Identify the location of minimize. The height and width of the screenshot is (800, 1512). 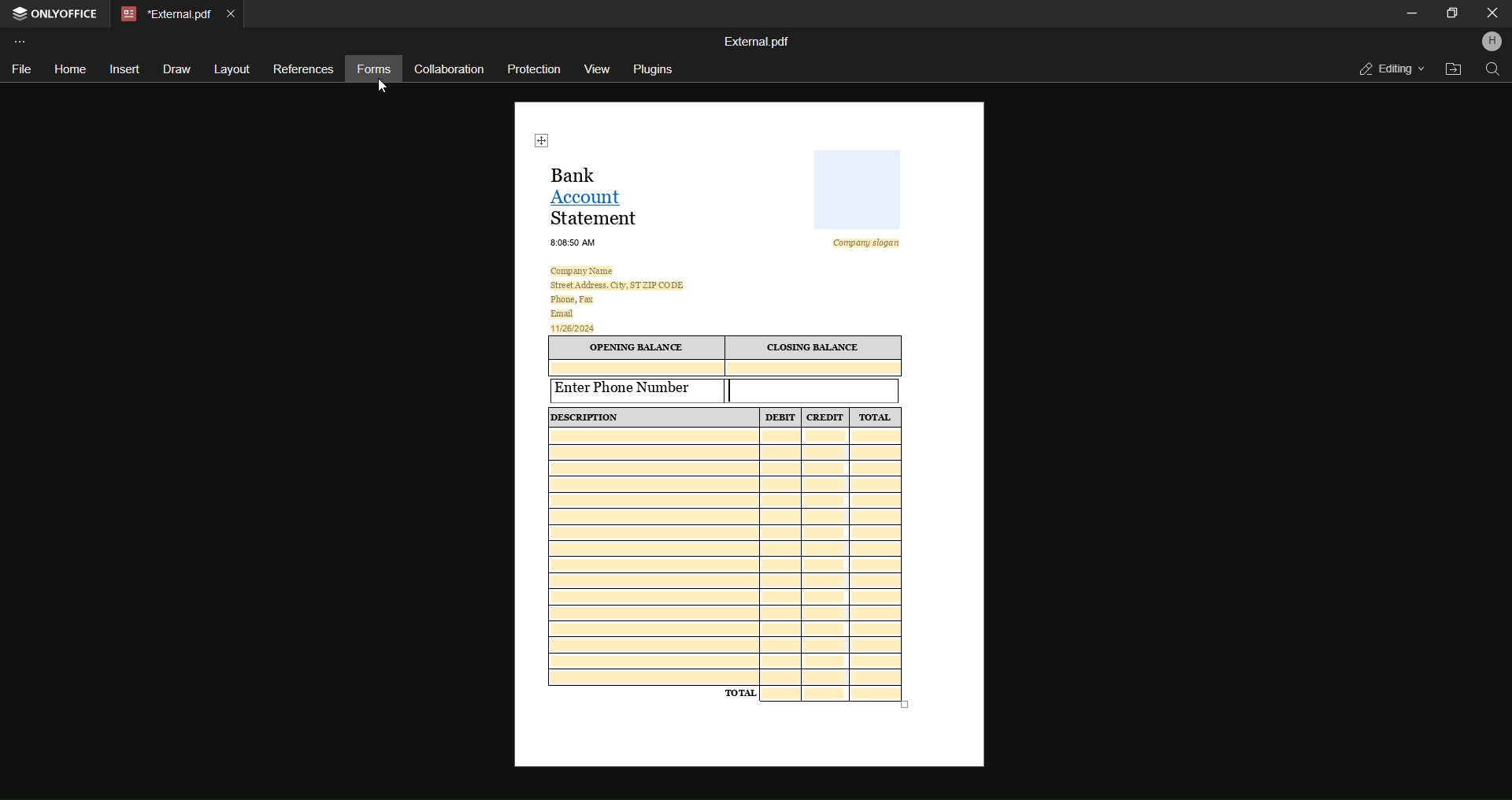
(1411, 12).